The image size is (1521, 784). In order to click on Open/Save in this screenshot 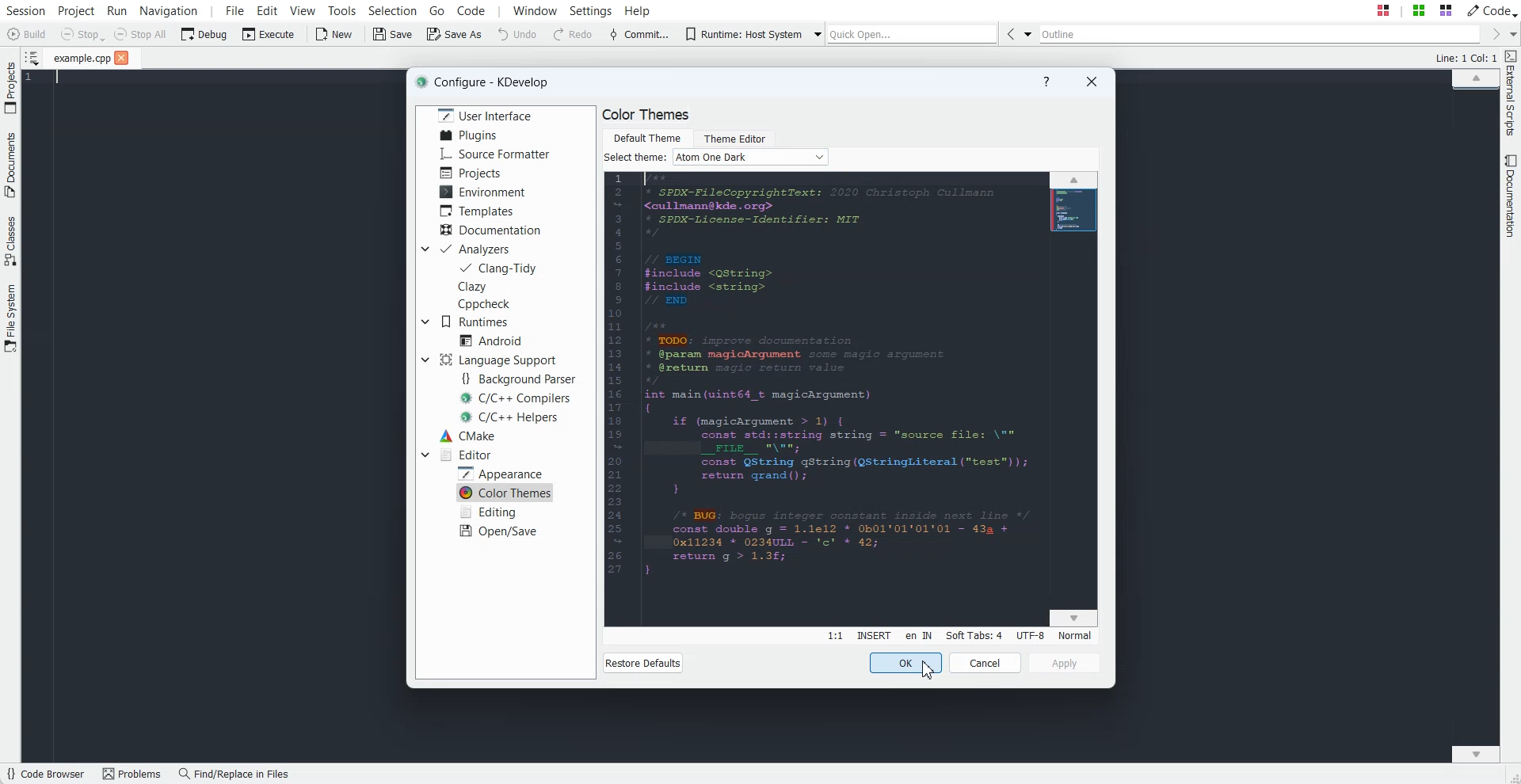, I will do `click(499, 531)`.